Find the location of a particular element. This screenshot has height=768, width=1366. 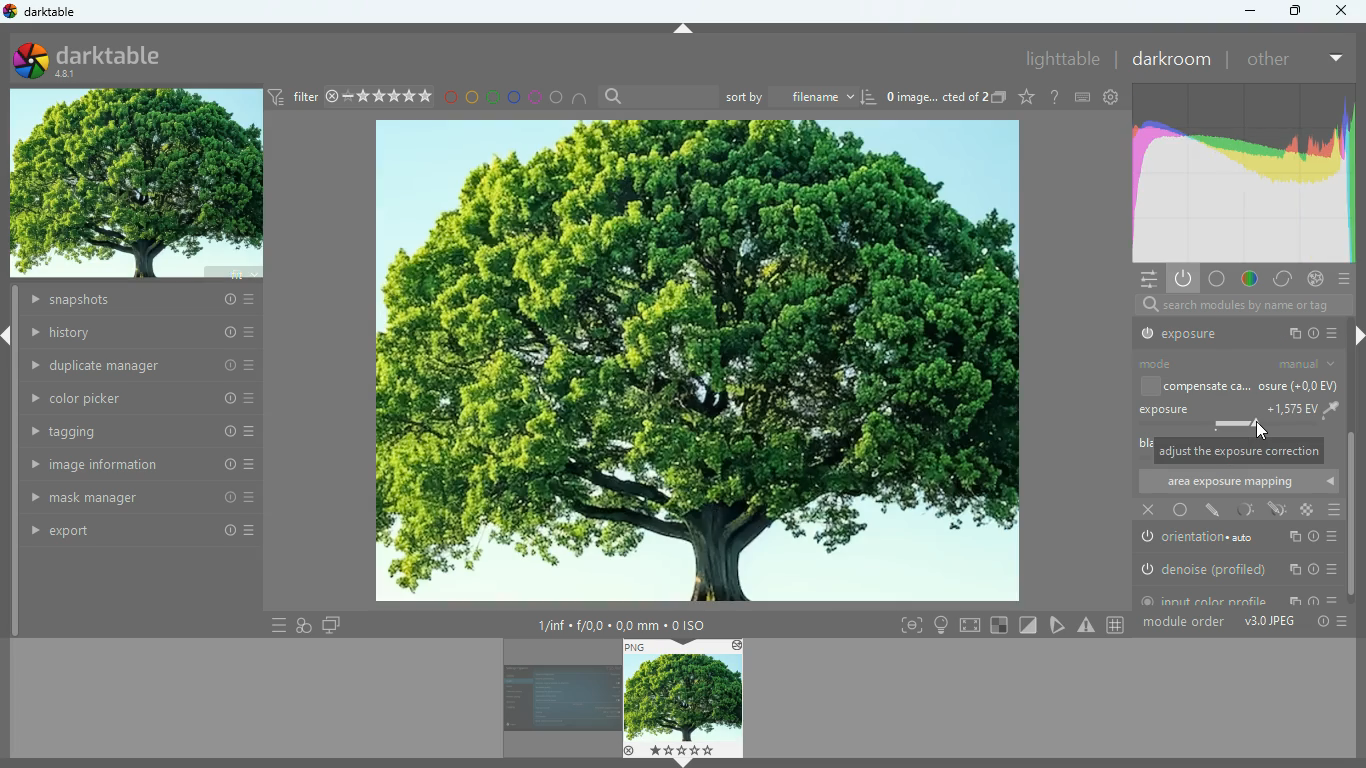

maximize is located at coordinates (1293, 12).